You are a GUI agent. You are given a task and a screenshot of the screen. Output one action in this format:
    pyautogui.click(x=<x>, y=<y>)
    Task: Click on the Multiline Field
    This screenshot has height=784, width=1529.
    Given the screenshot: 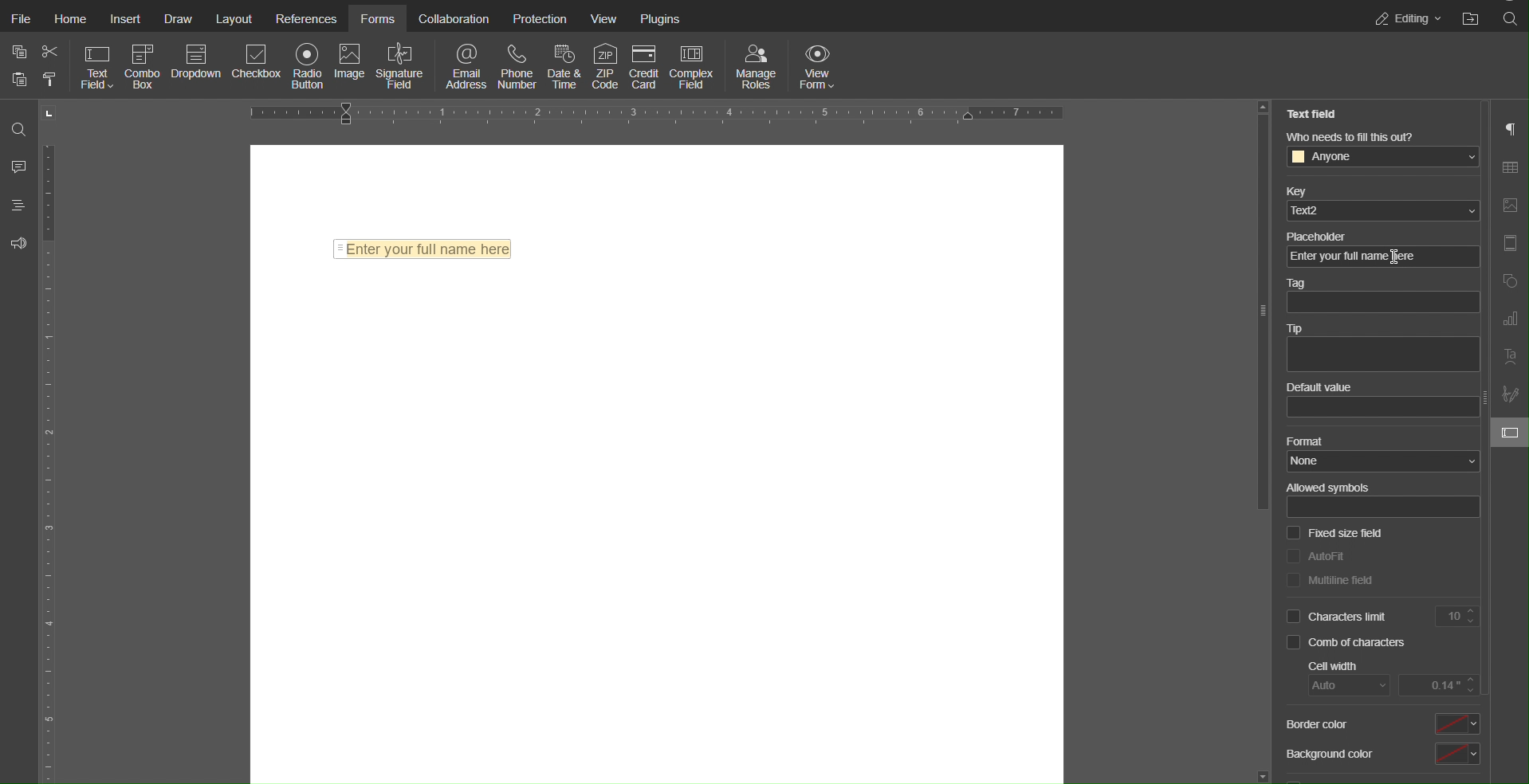 What is the action you would take?
    pyautogui.click(x=1331, y=579)
    